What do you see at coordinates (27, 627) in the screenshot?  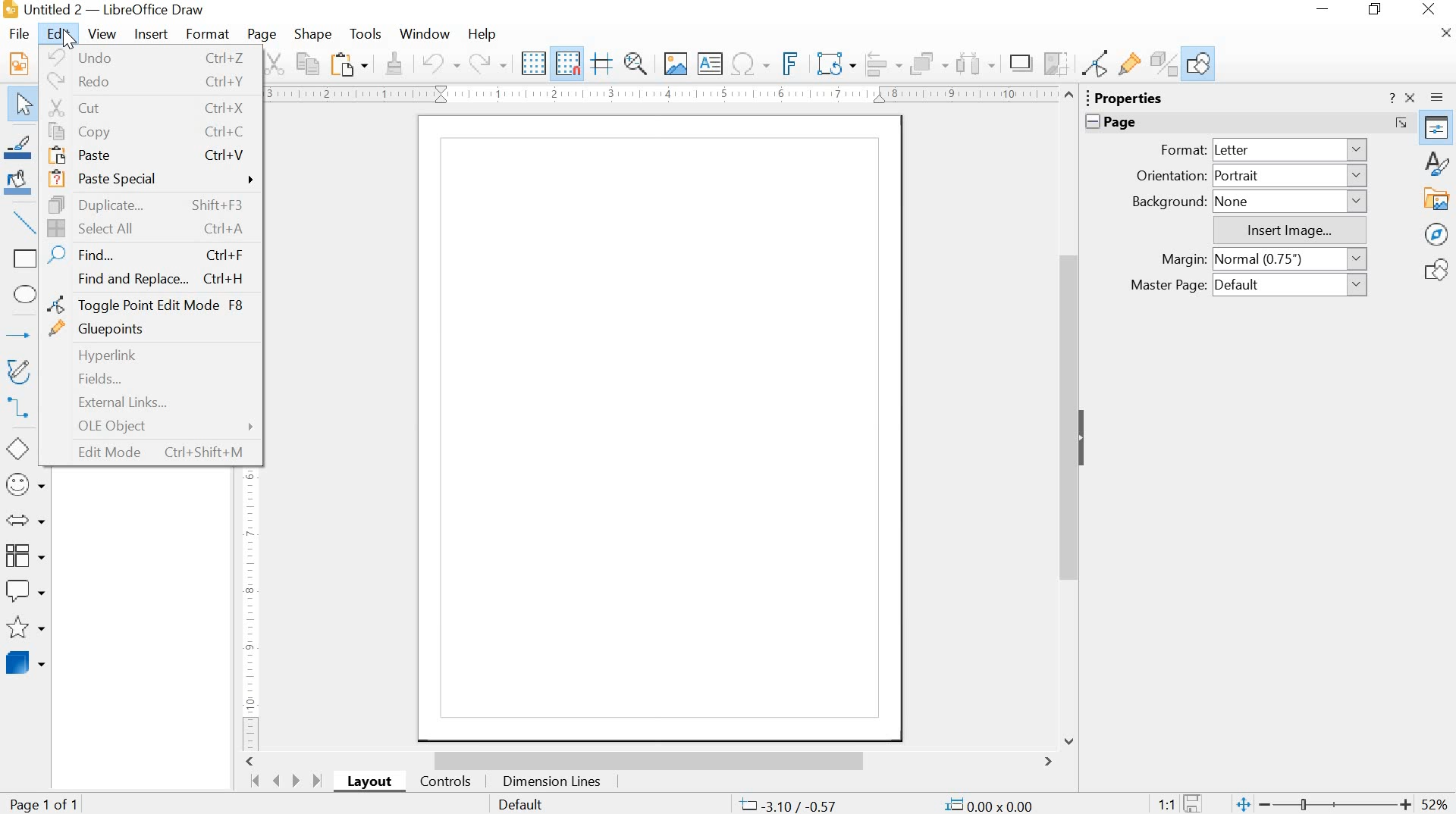 I see `Stars and Banners (double click for multi-selection)` at bounding box center [27, 627].